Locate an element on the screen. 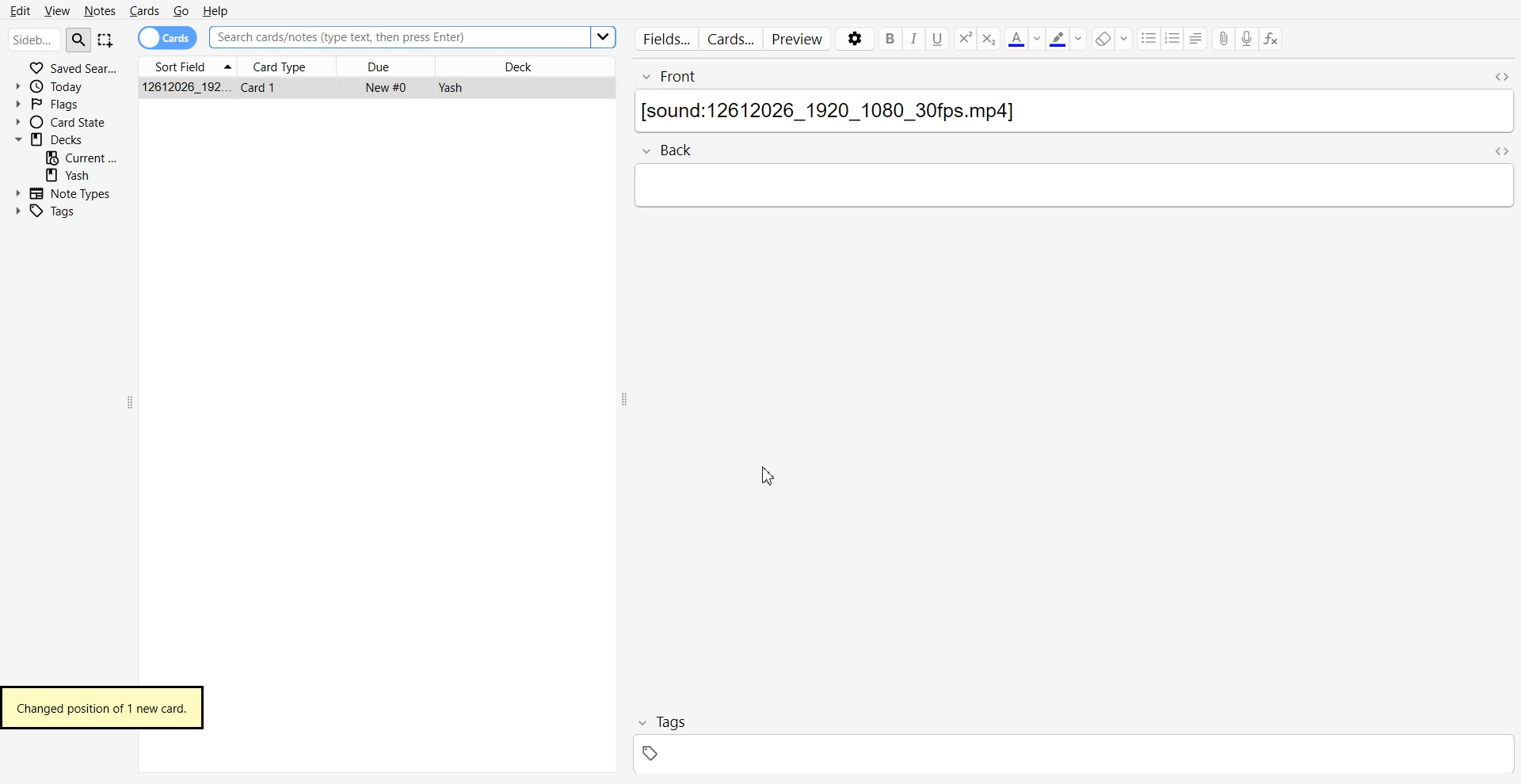 This screenshot has height=784, width=1521. Today is located at coordinates (67, 86).